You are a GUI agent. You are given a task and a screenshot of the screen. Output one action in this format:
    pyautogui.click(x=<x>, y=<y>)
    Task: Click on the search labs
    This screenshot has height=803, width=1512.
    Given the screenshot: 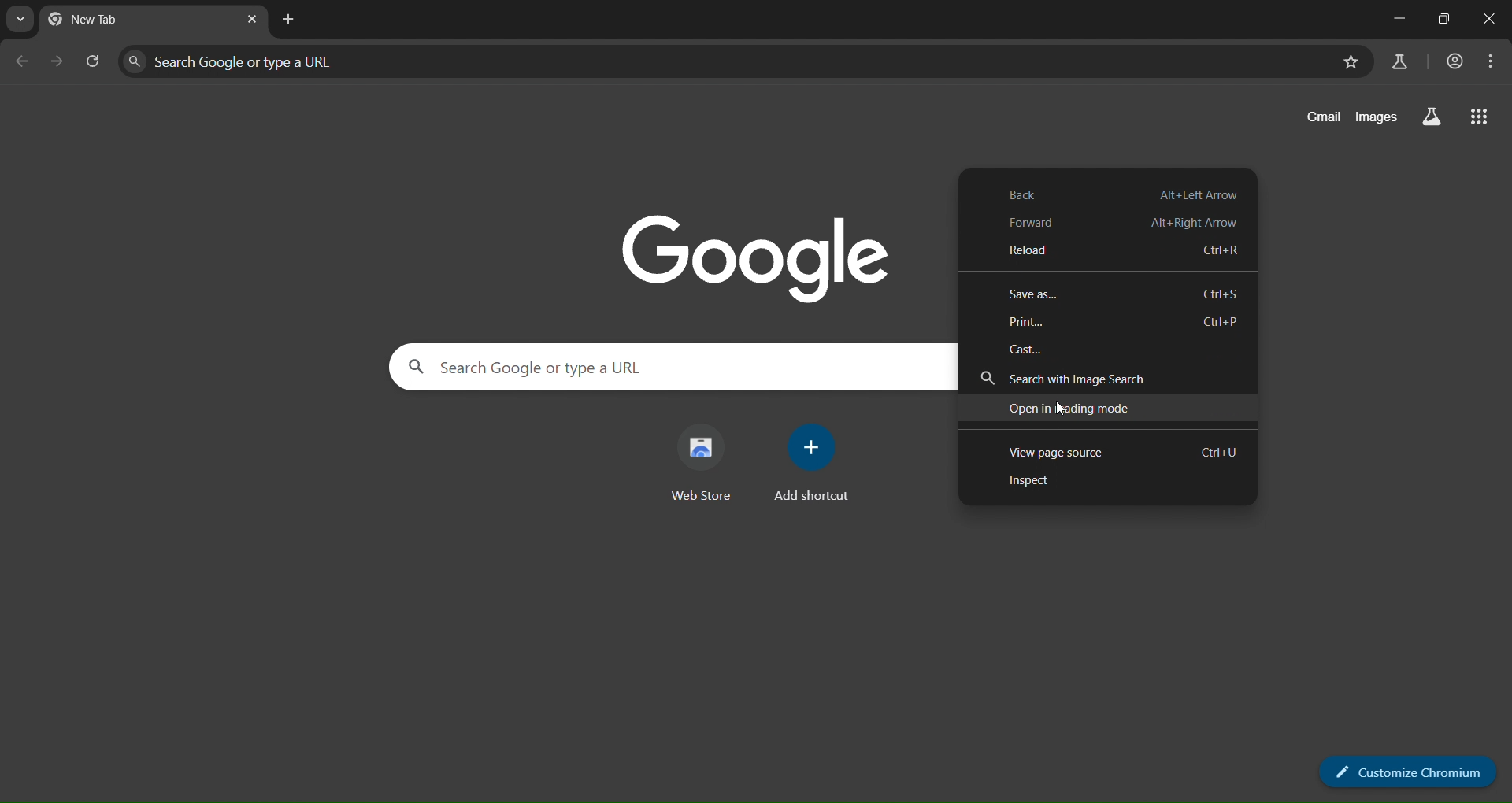 What is the action you would take?
    pyautogui.click(x=1430, y=117)
    